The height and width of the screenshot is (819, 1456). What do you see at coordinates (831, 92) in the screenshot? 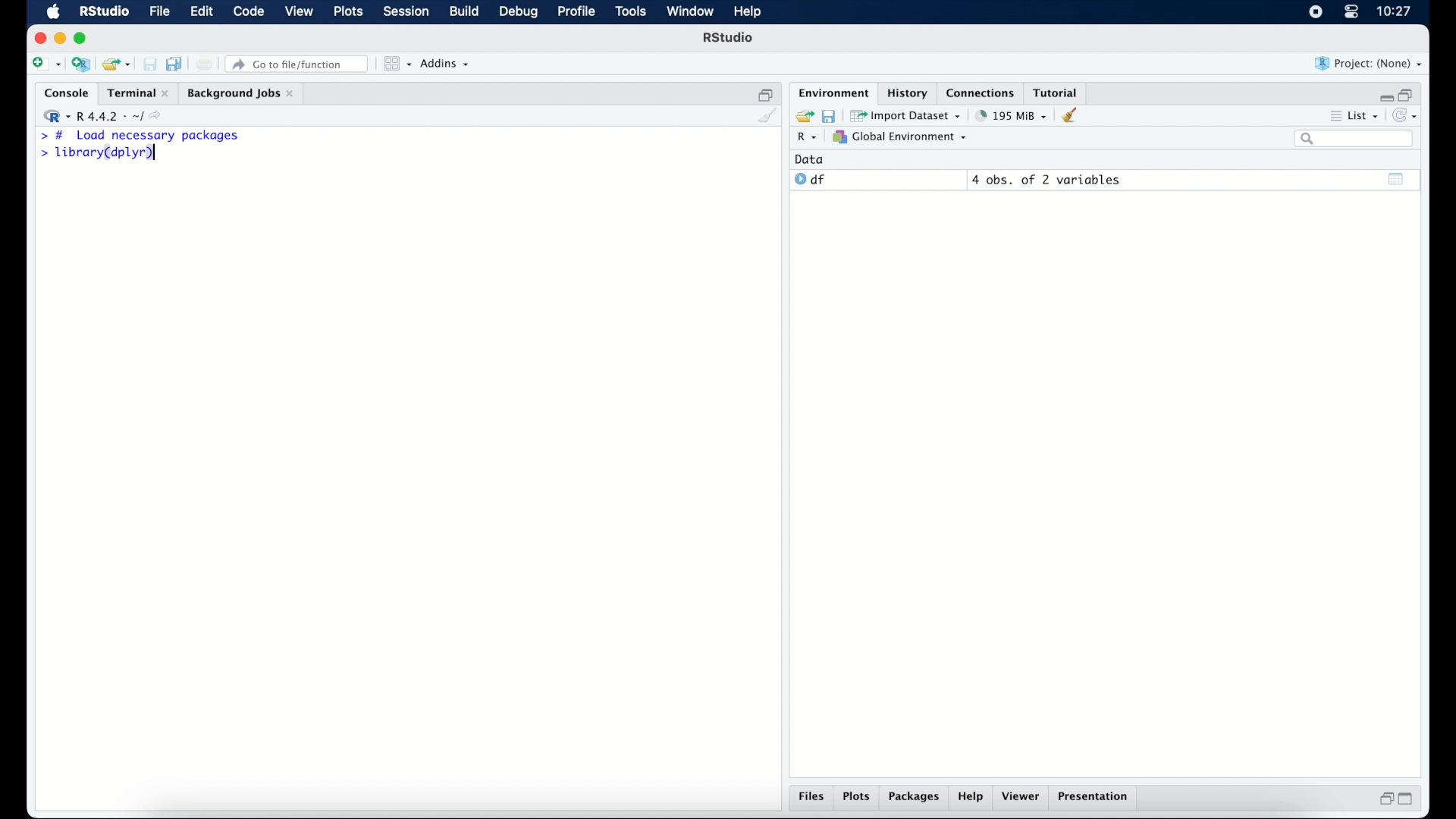
I see `environment` at bounding box center [831, 92].